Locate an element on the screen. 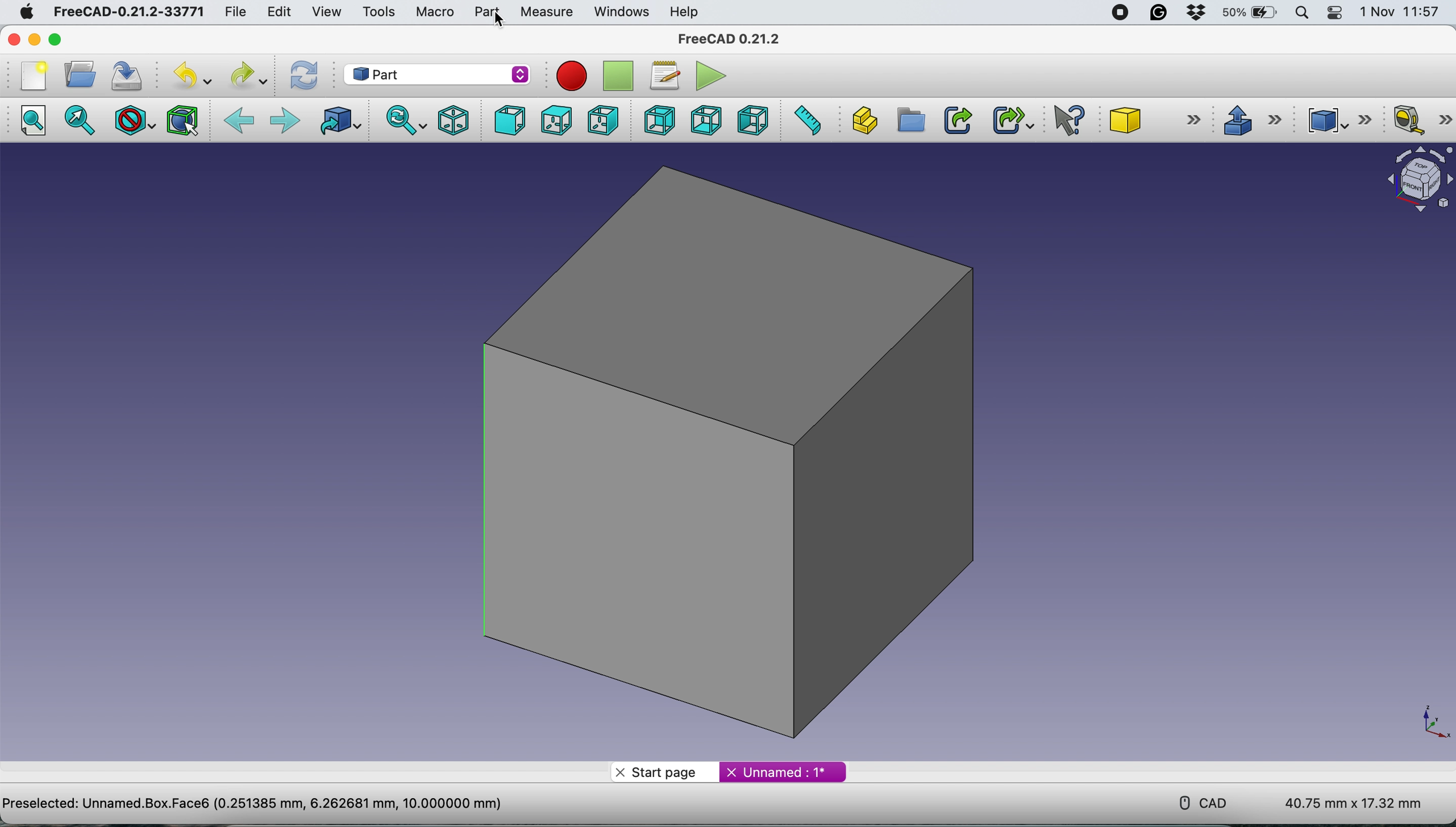 Image resolution: width=1456 pixels, height=827 pixels. screen recorder is located at coordinates (1118, 13).